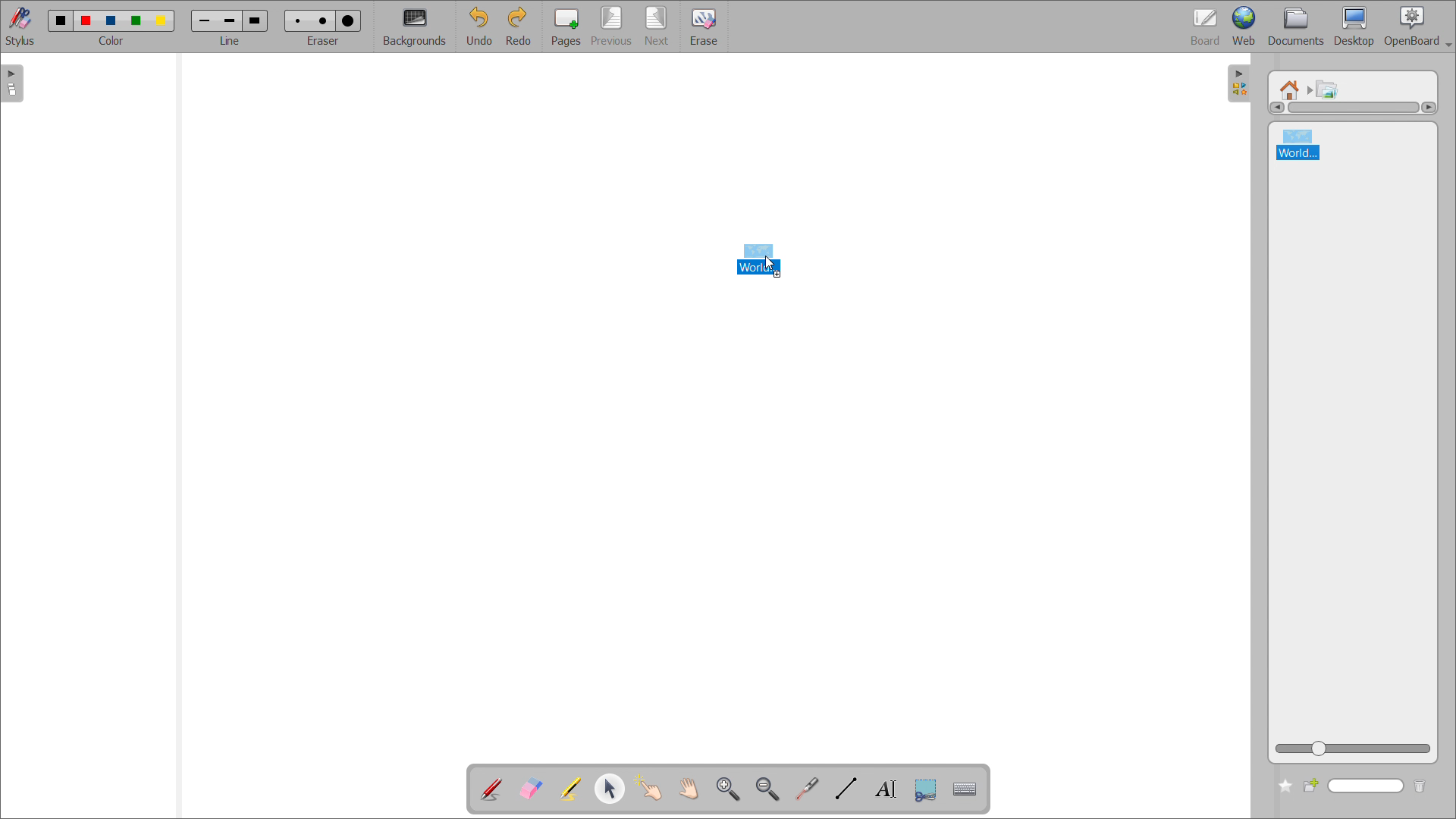 The image size is (1456, 819). I want to click on capture part of the screen, so click(927, 789).